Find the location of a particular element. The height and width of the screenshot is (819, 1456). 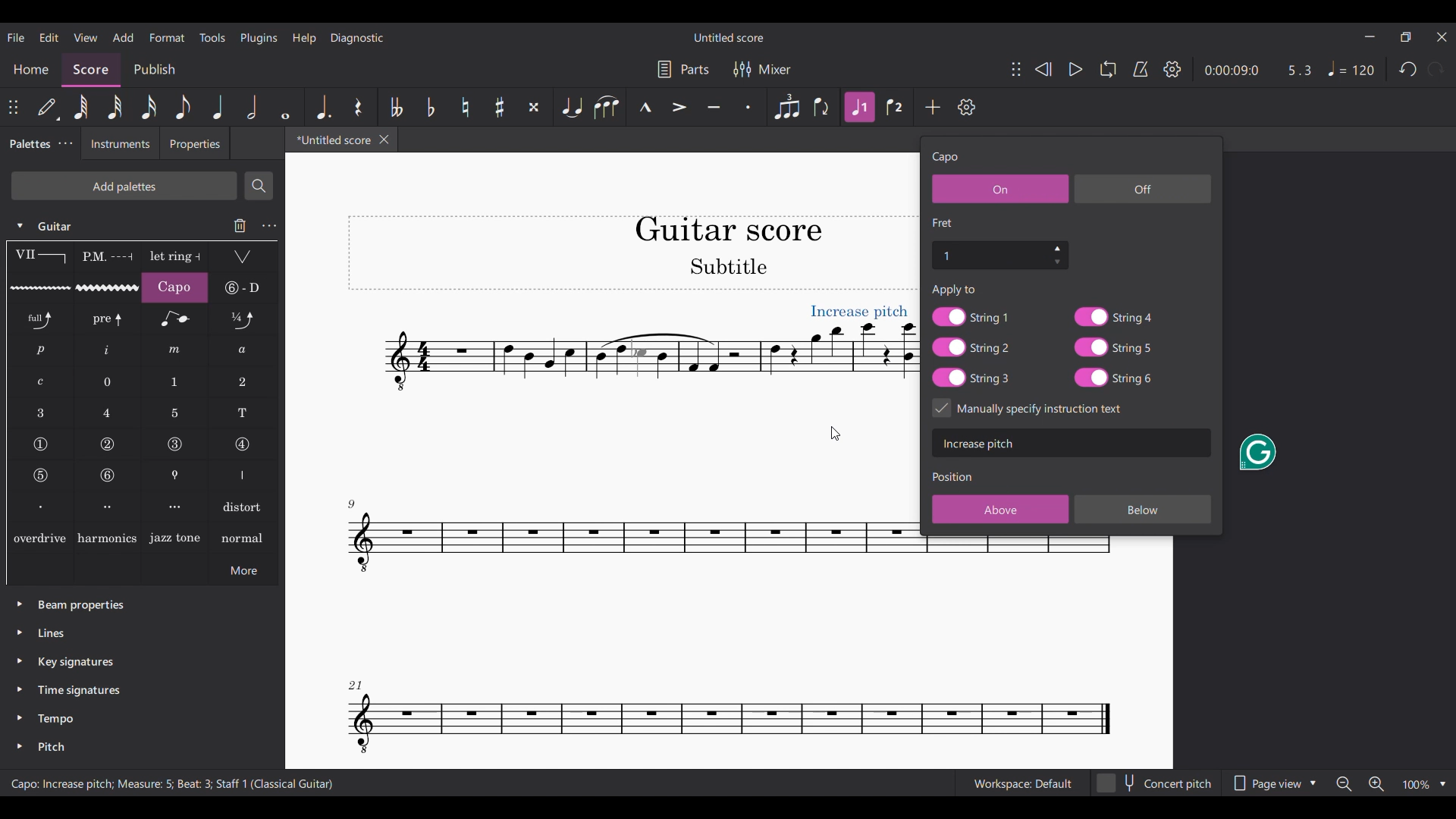

Highlighted after current selection is located at coordinates (861, 108).